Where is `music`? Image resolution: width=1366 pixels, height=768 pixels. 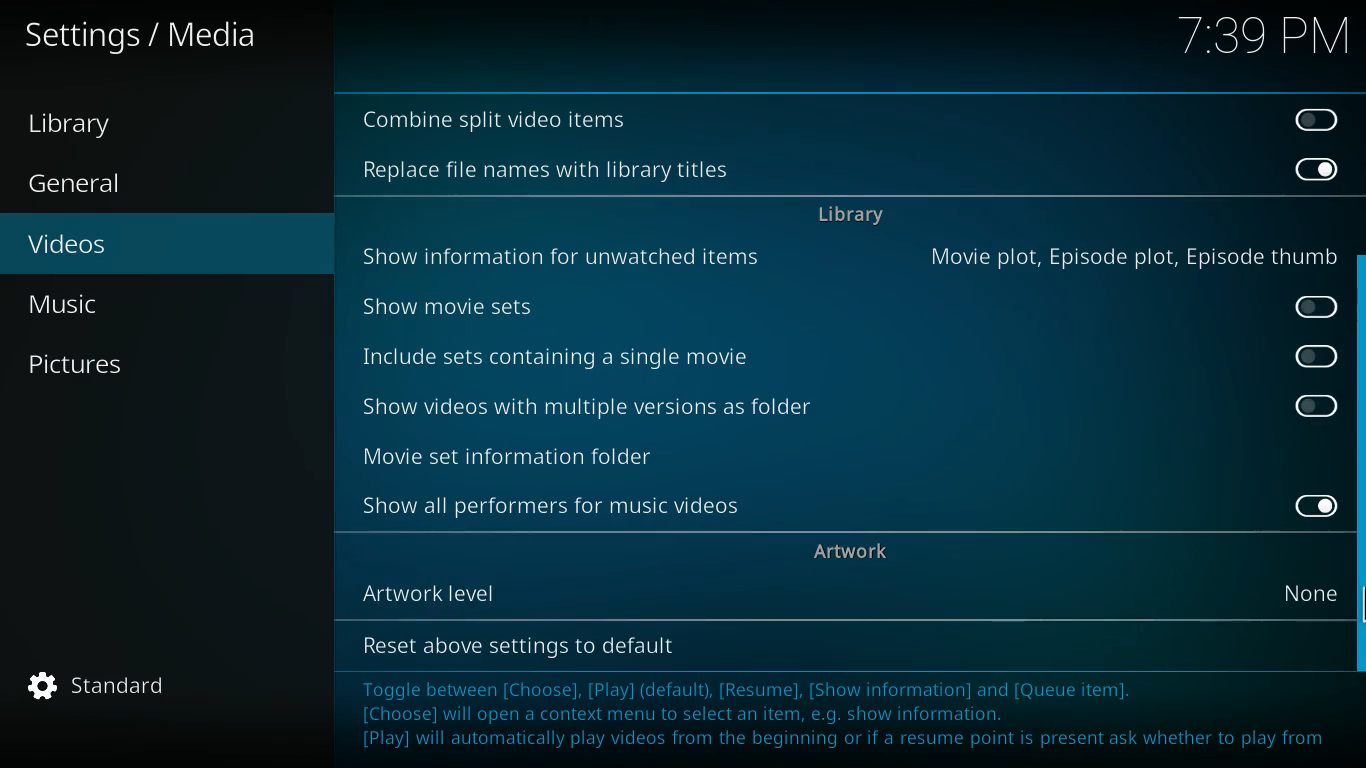 music is located at coordinates (161, 304).